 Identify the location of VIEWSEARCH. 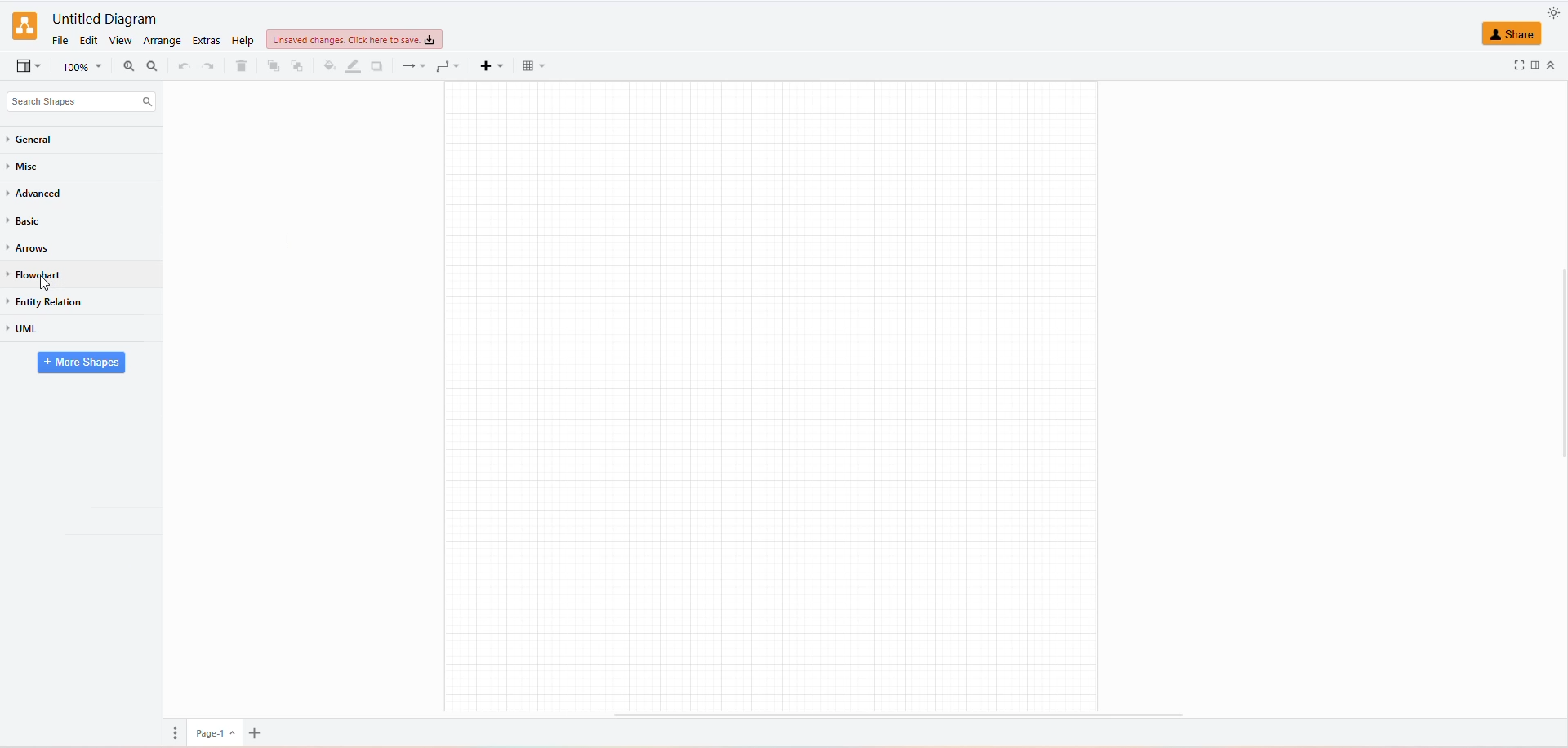
(29, 67).